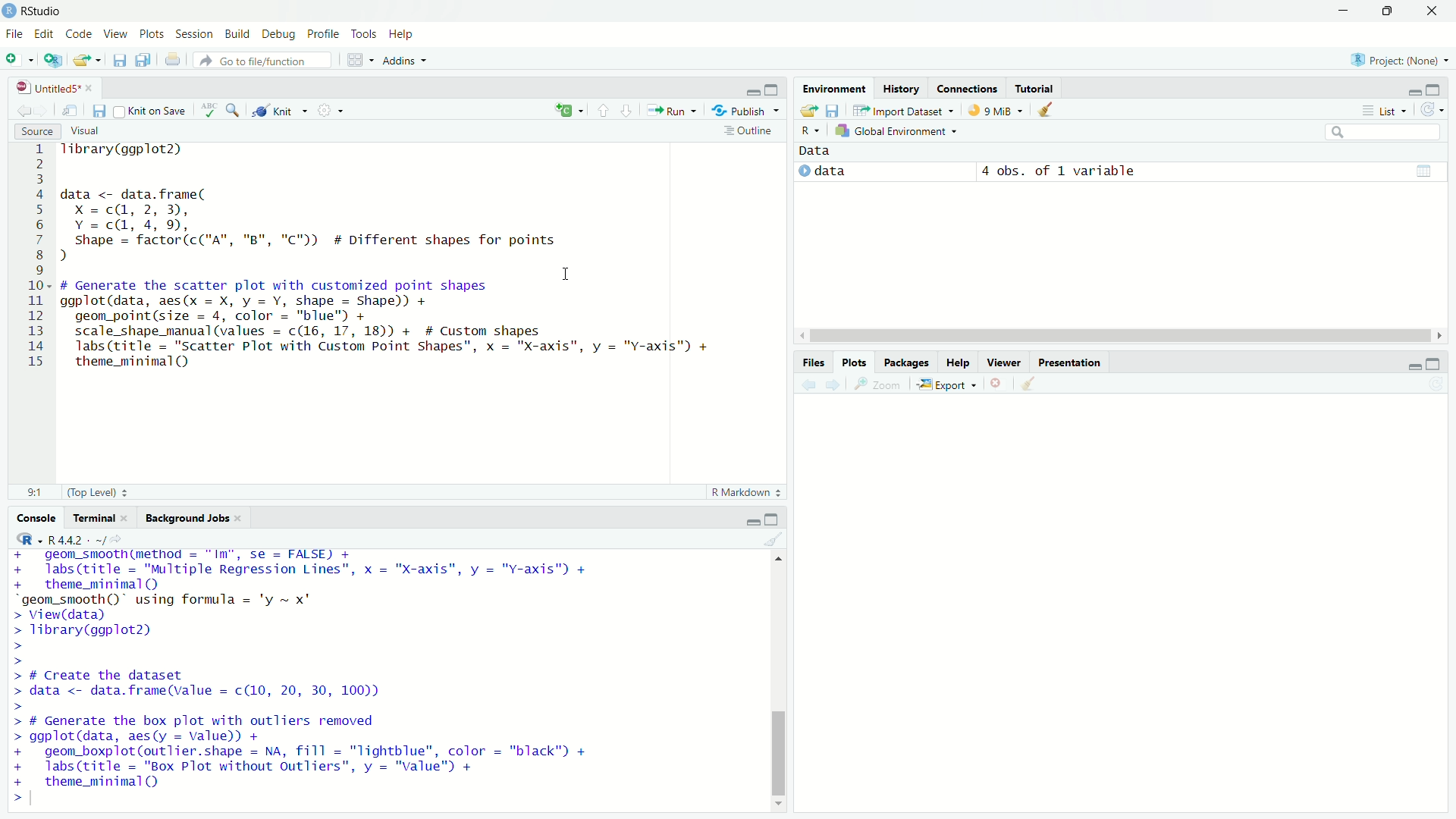 This screenshot has width=1456, height=819. What do you see at coordinates (1433, 89) in the screenshot?
I see `maximize` at bounding box center [1433, 89].